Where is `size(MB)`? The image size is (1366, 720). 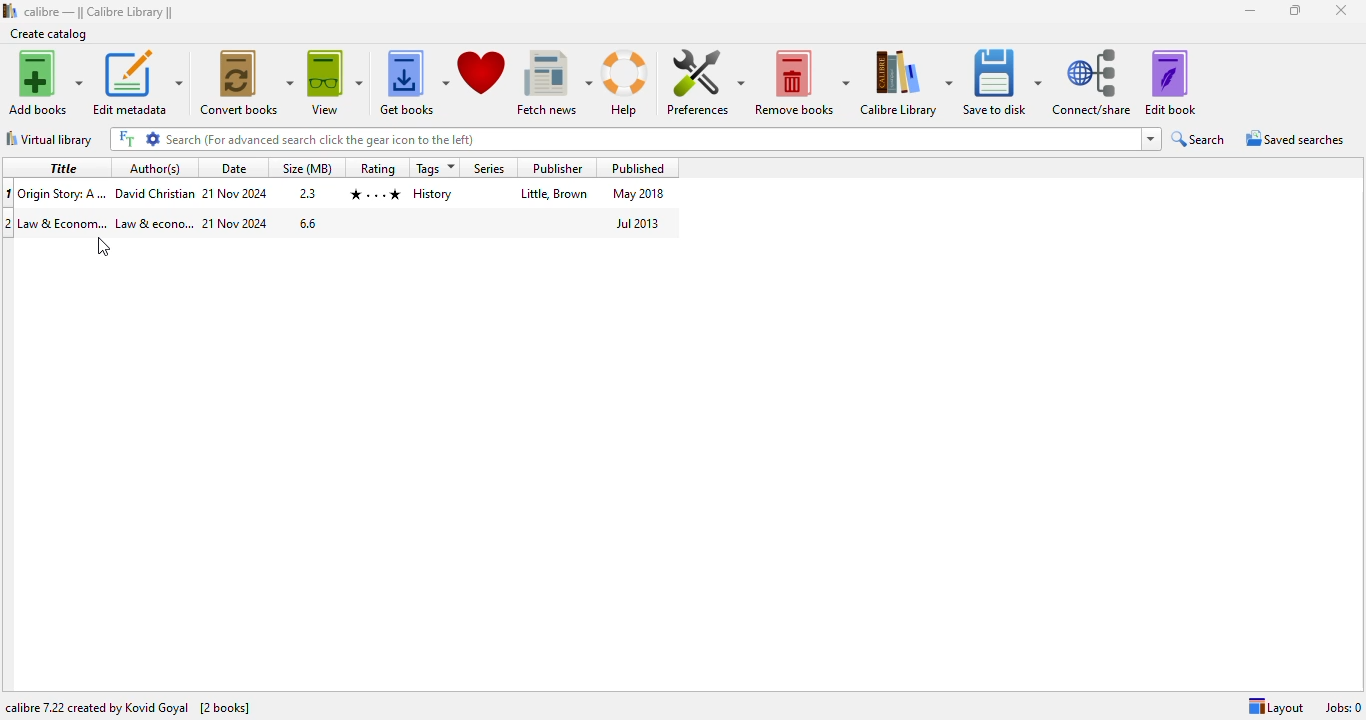
size(MB) is located at coordinates (309, 168).